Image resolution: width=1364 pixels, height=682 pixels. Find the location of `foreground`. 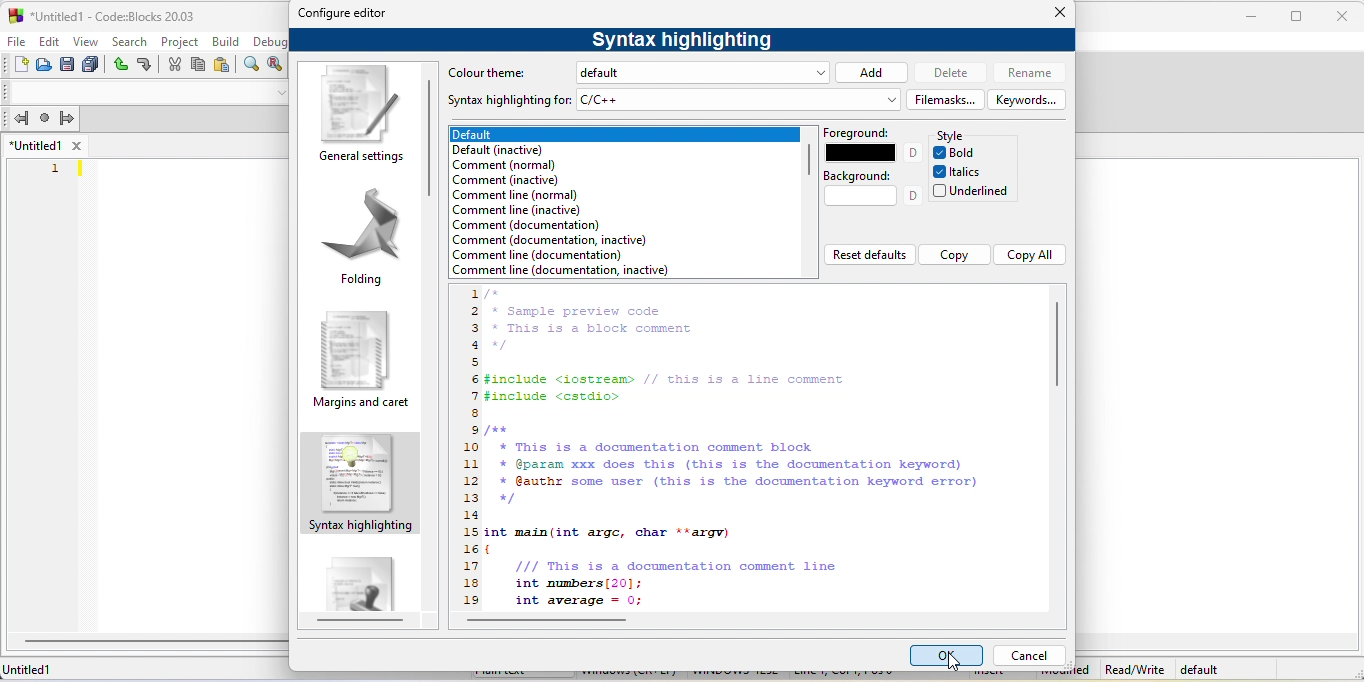

foreground is located at coordinates (871, 143).